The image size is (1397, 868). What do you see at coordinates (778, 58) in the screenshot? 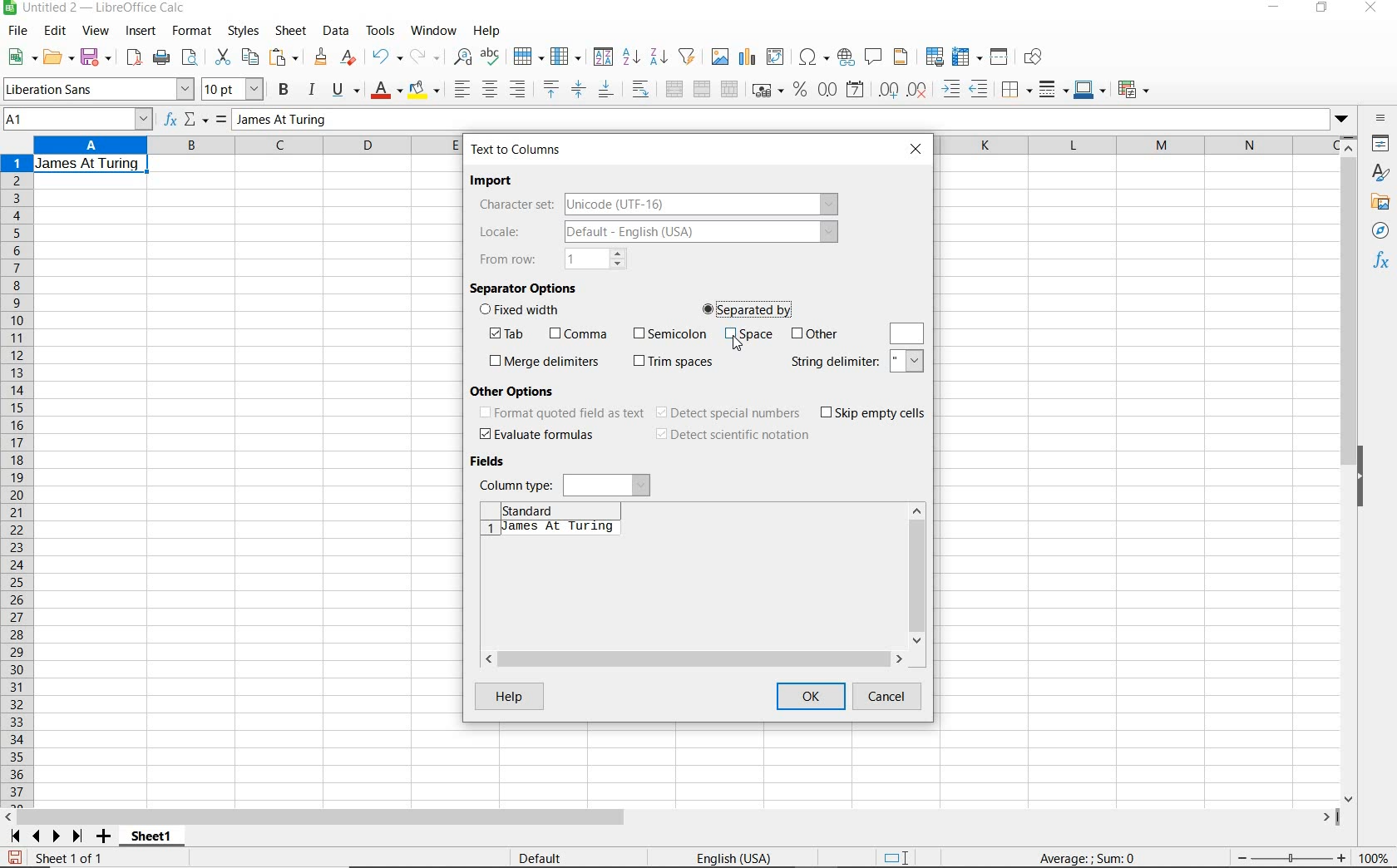
I see `insert or edit pivot table` at bounding box center [778, 58].